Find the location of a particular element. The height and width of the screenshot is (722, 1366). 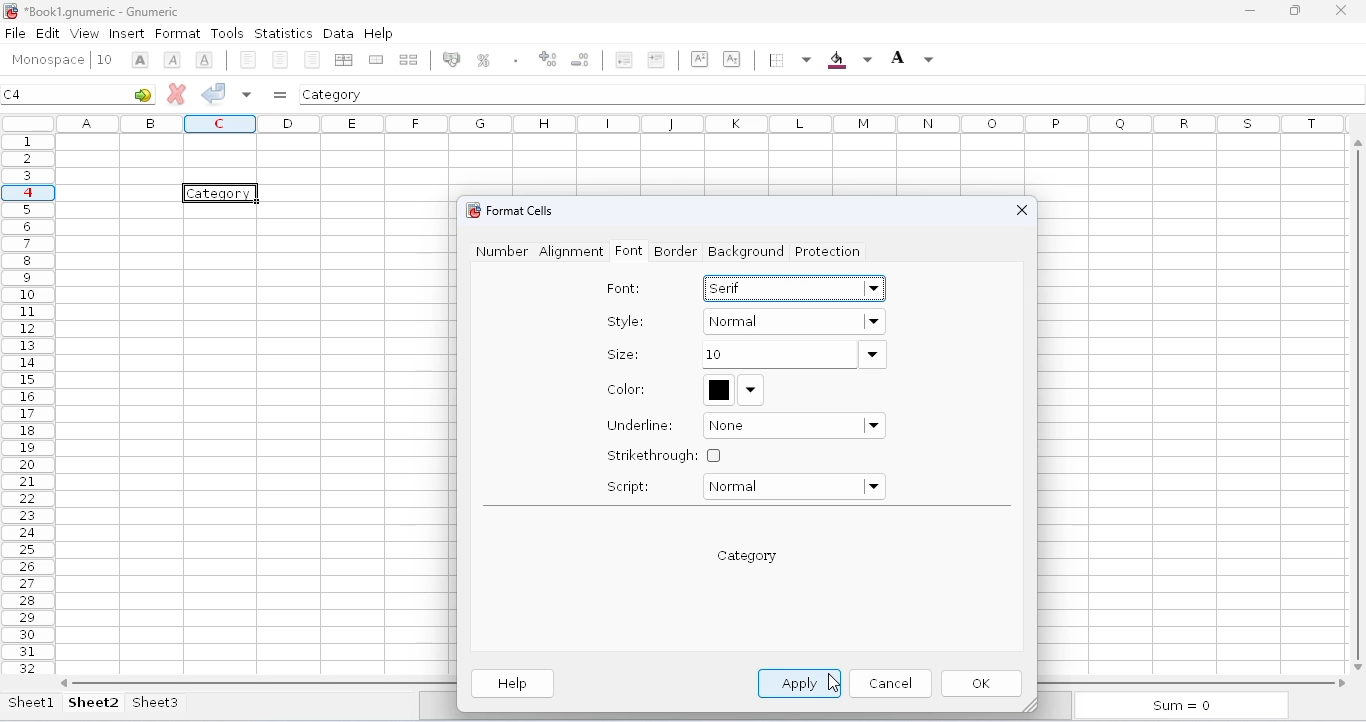

go-to is located at coordinates (143, 94).